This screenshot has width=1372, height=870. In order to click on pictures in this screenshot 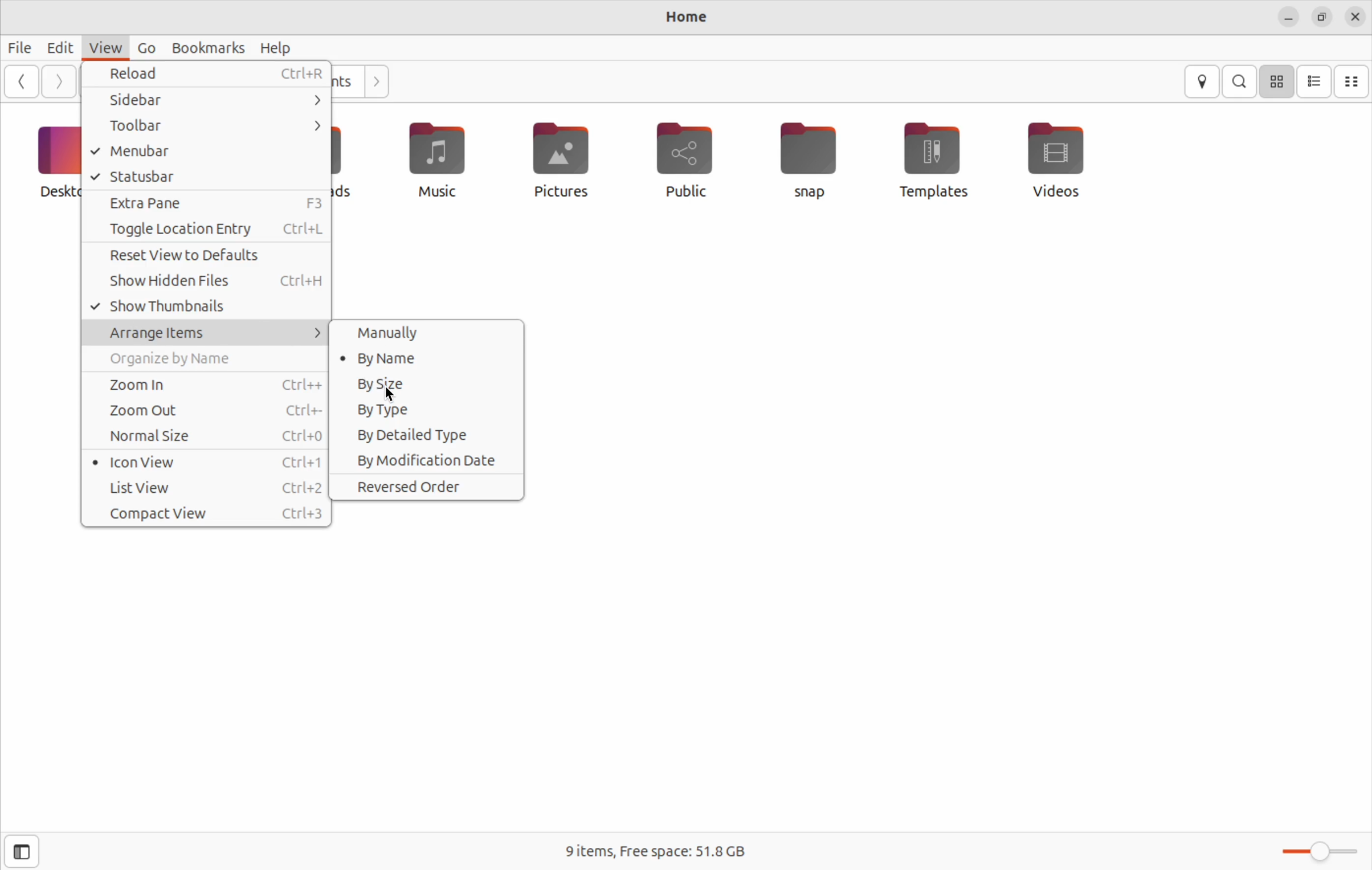, I will do `click(557, 162)`.